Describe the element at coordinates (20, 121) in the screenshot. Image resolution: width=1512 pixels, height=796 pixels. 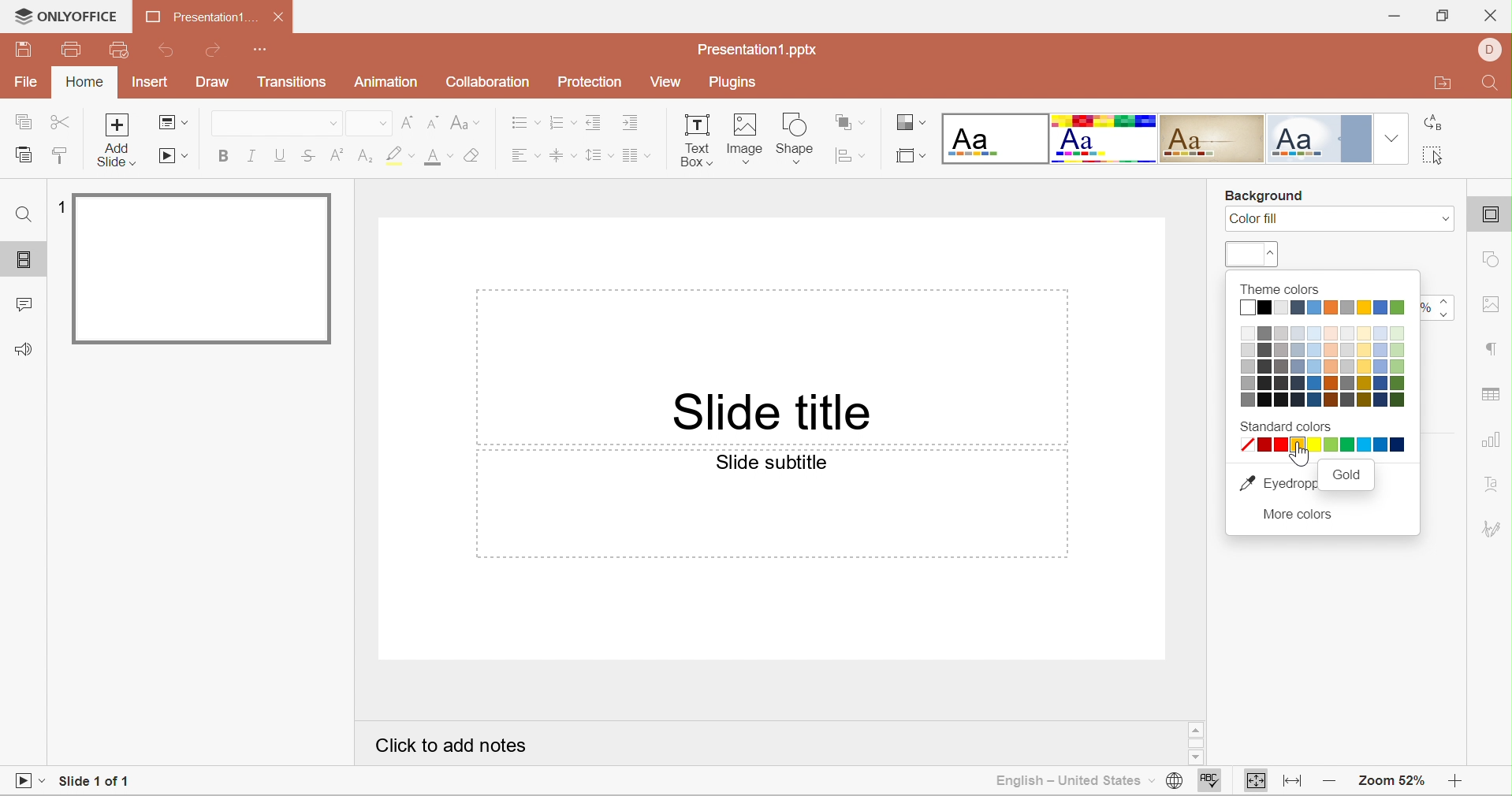
I see `Copy` at that location.